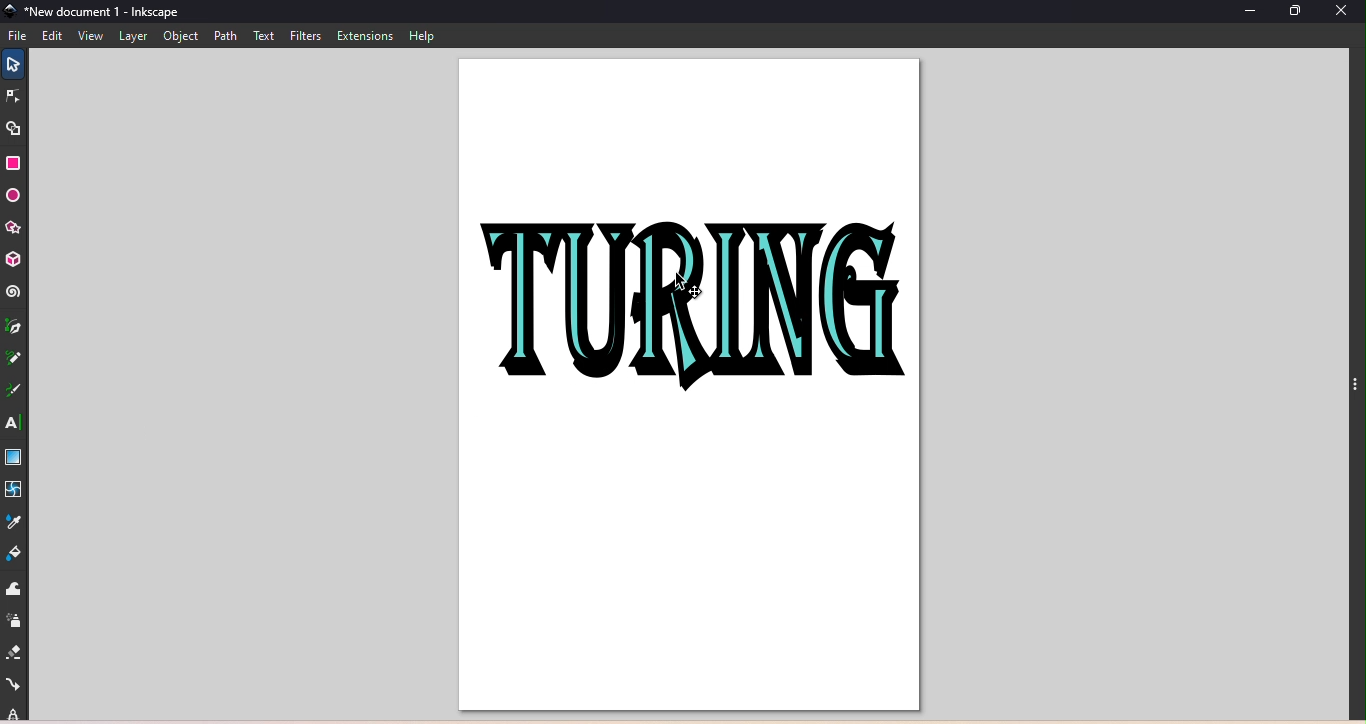  Describe the element at coordinates (15, 685) in the screenshot. I see `Connector tool` at that location.